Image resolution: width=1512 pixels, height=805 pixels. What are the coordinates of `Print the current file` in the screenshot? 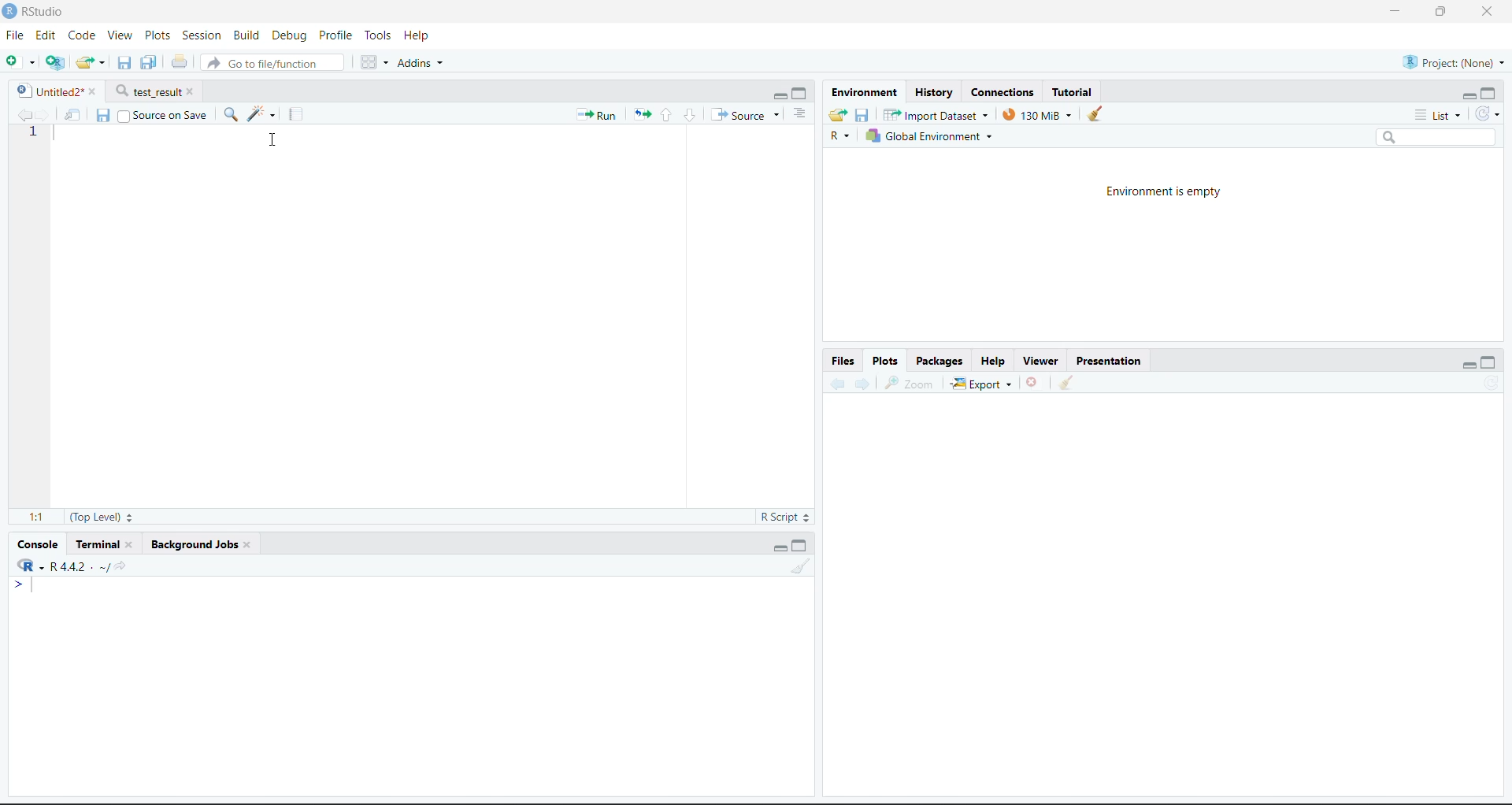 It's located at (180, 59).